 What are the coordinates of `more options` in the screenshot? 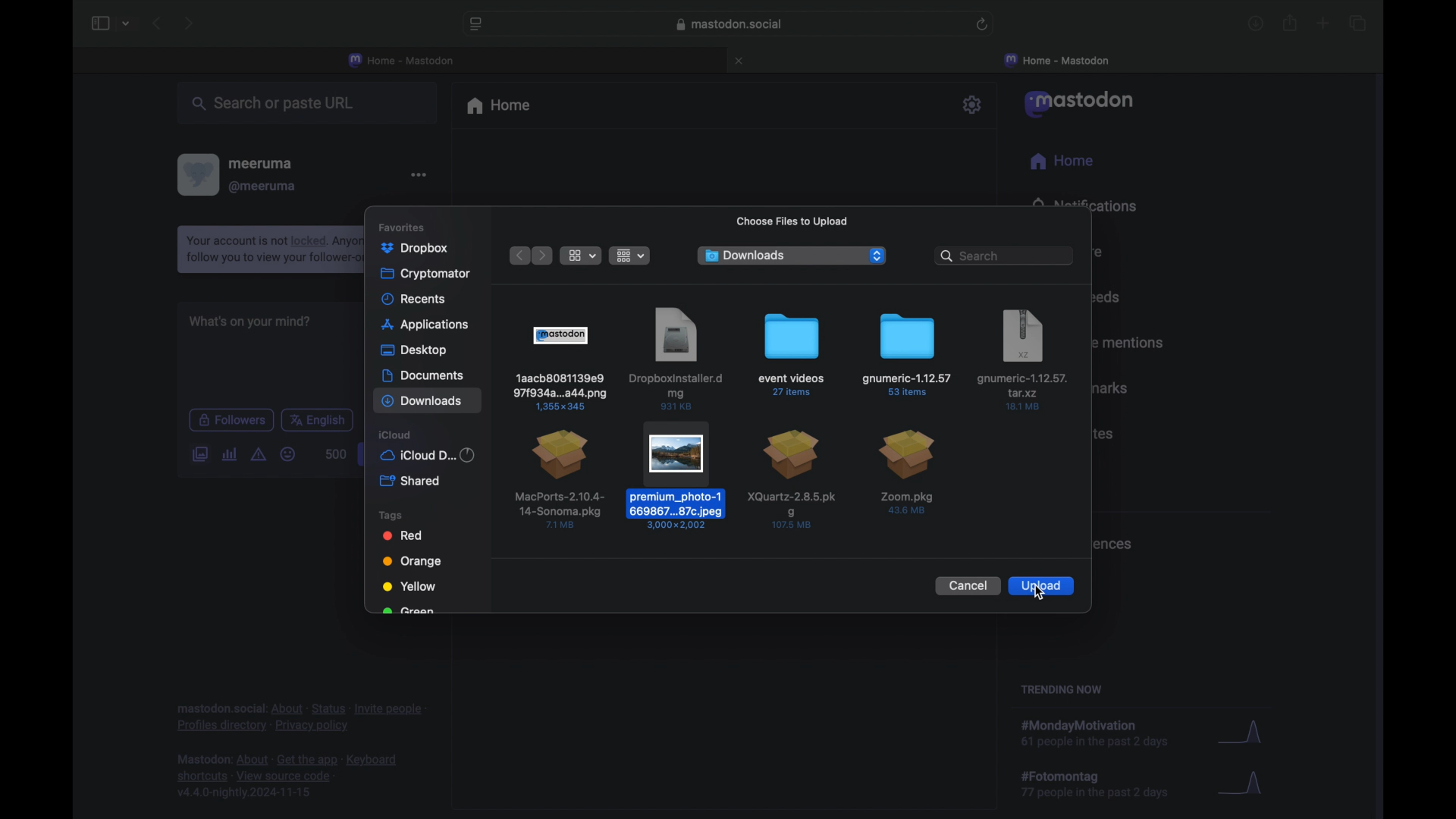 It's located at (419, 174).